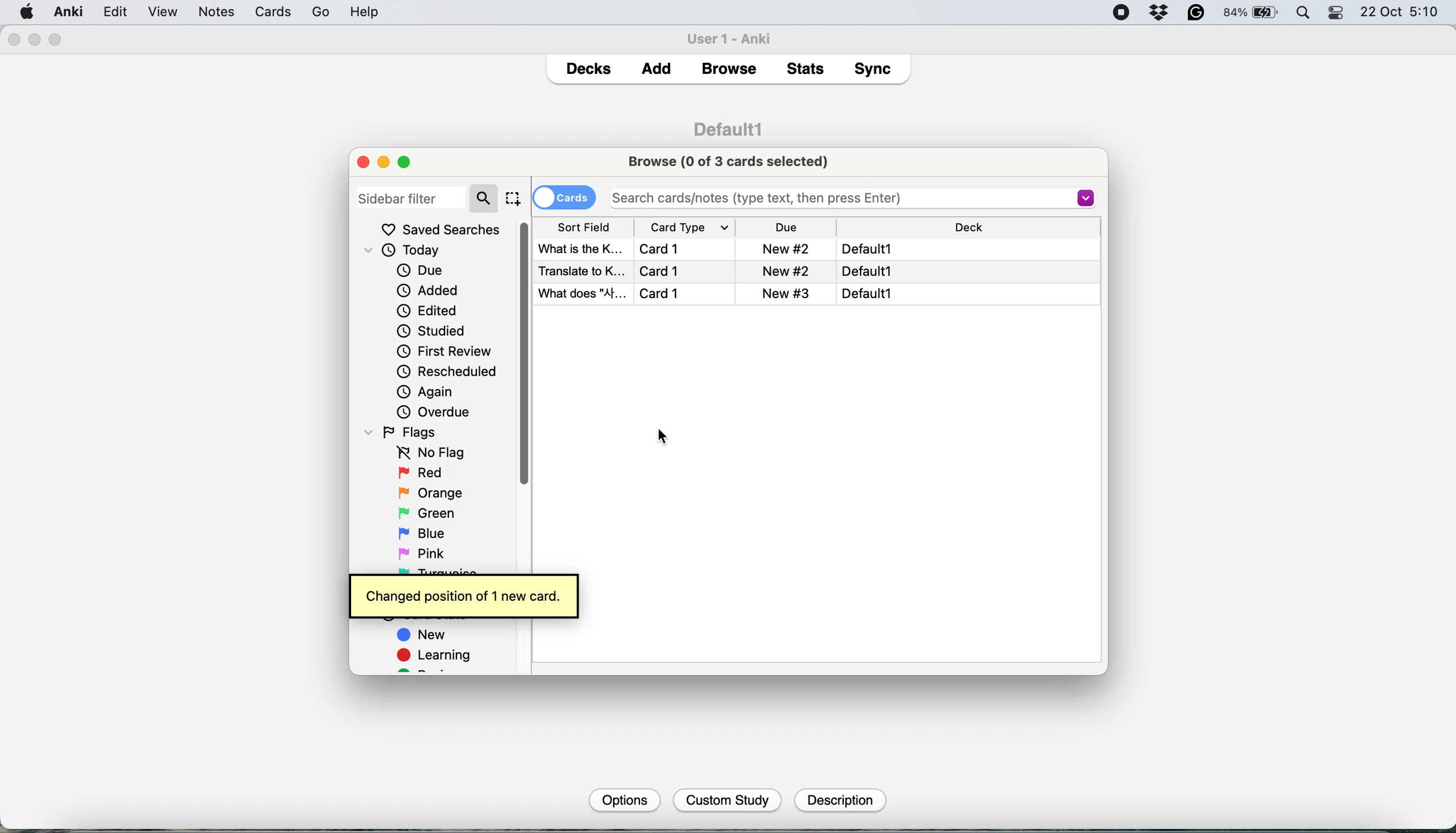  Describe the element at coordinates (430, 493) in the screenshot. I see `orange` at that location.